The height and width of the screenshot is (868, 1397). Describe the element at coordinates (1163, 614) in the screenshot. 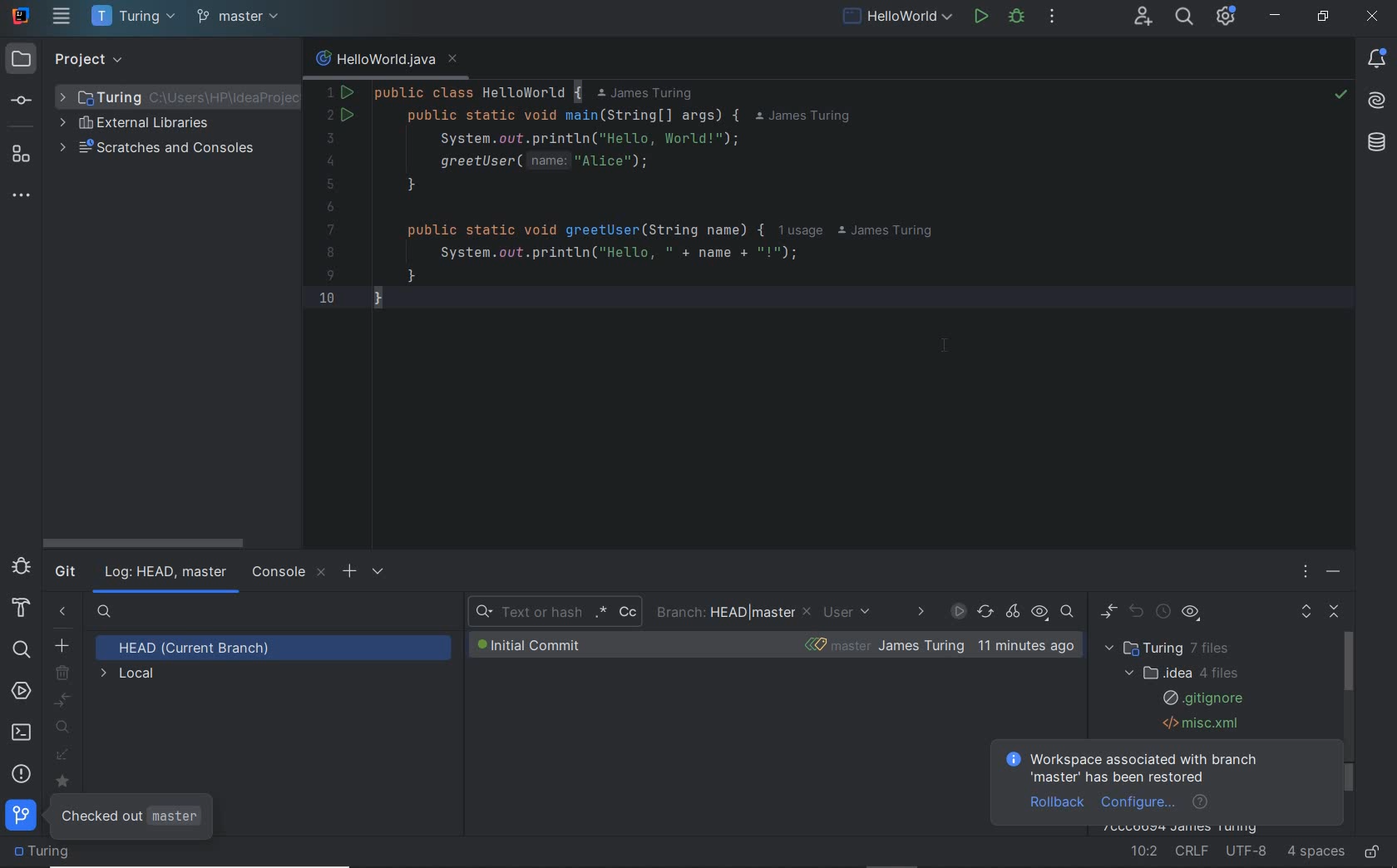

I see `history up to here` at that location.